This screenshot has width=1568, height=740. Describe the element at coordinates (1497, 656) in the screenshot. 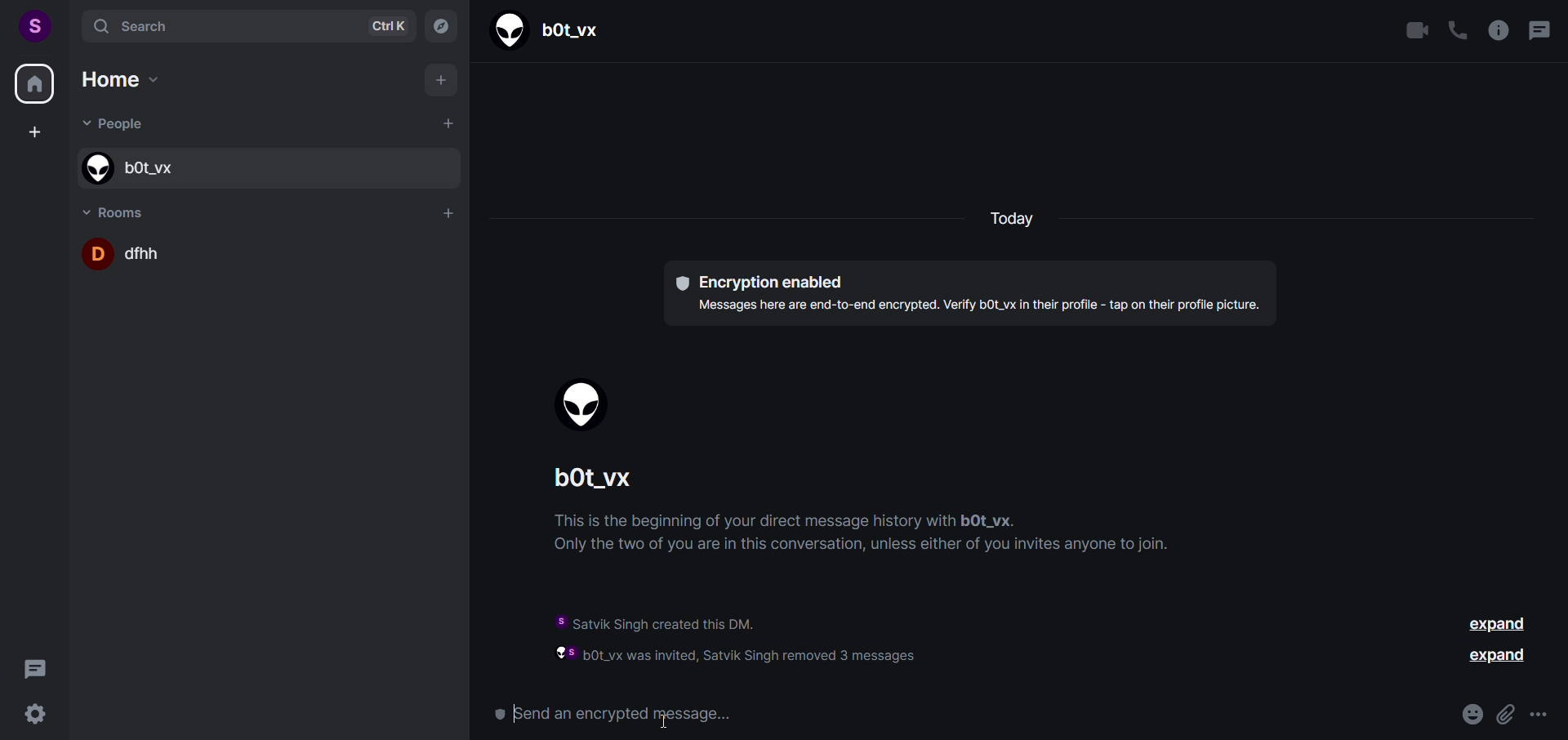

I see `expand` at that location.